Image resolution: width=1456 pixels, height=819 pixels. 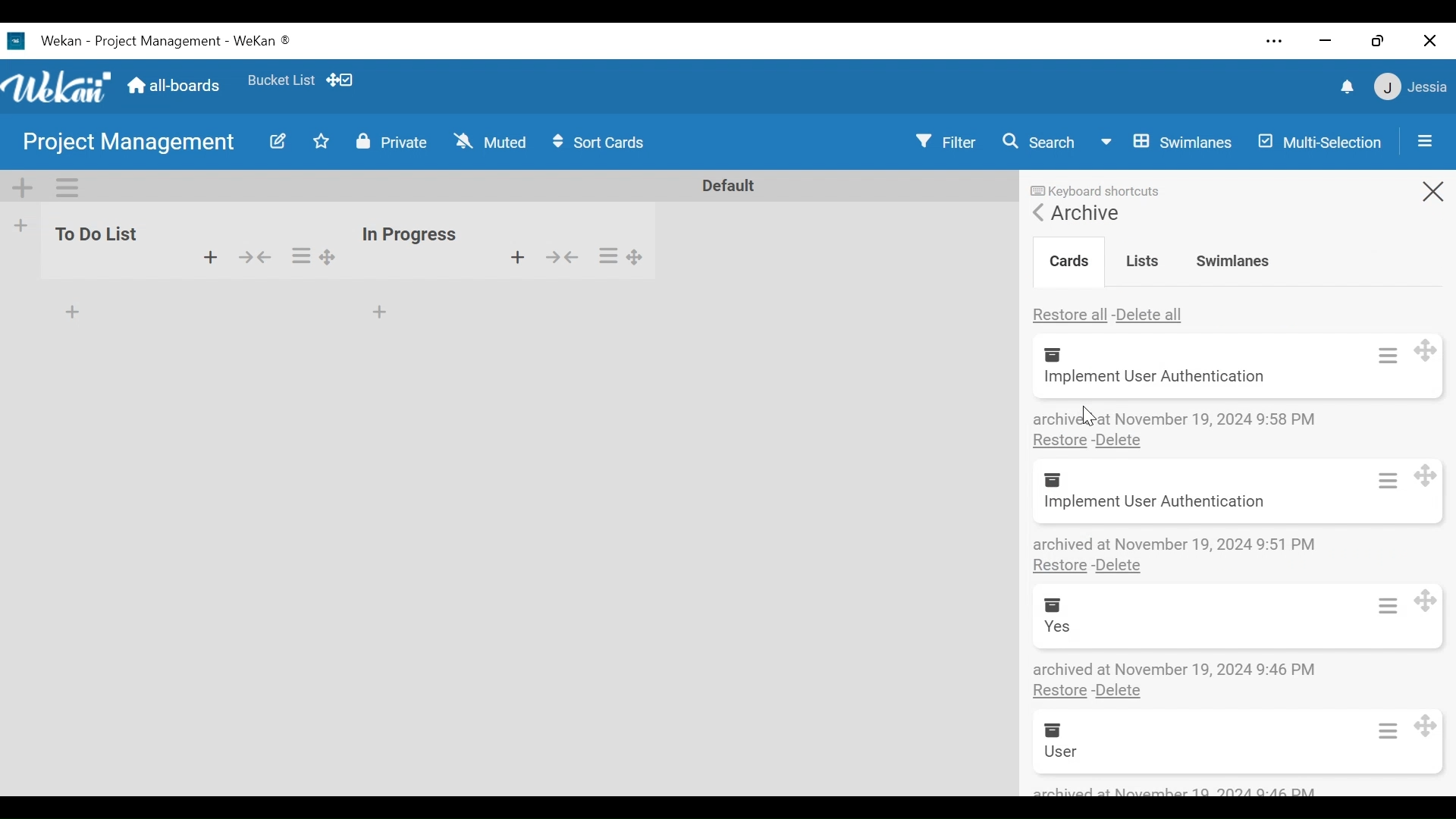 I want to click on Close, so click(x=1432, y=40).